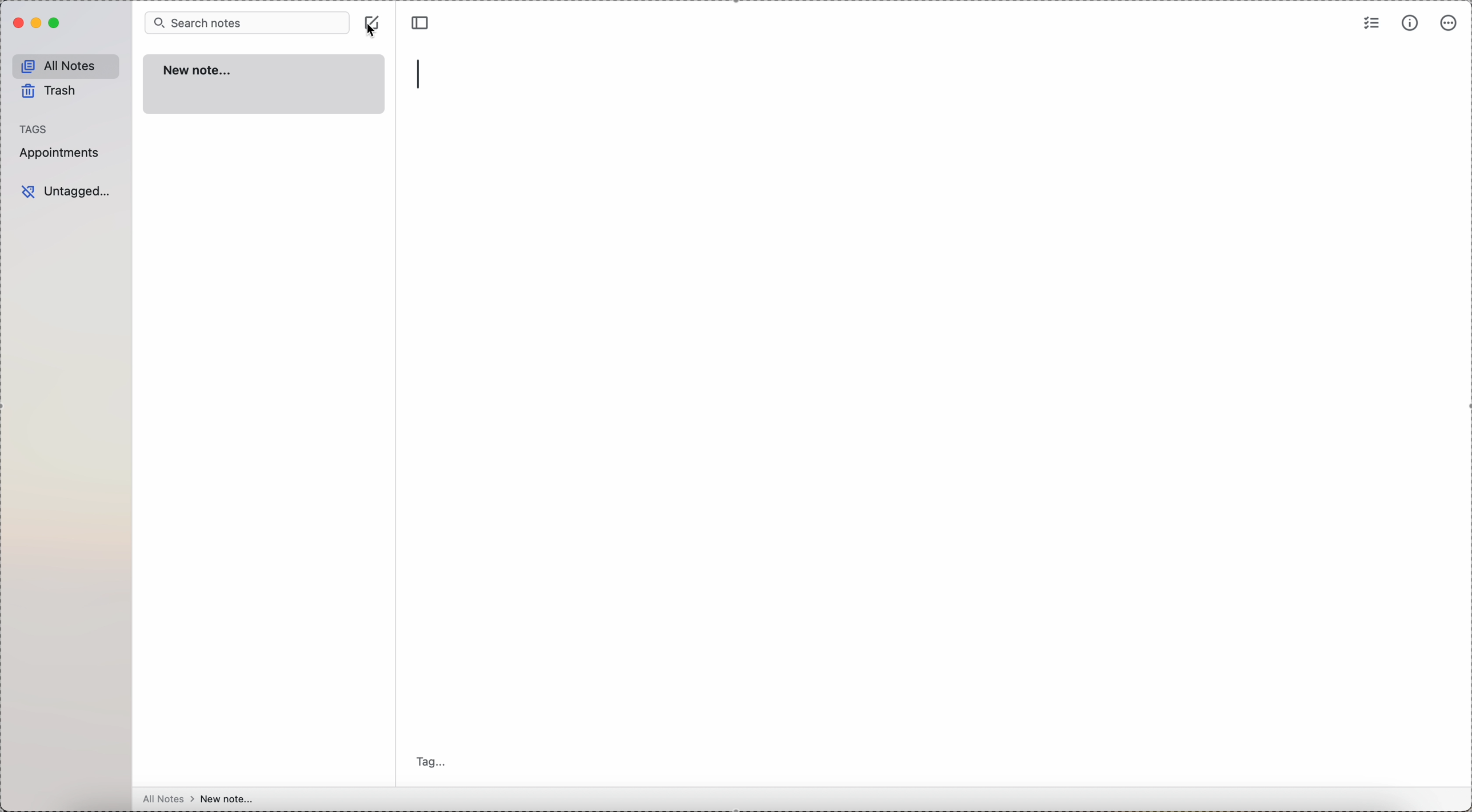 The image size is (1472, 812). Describe the element at coordinates (66, 192) in the screenshot. I see `untagged` at that location.